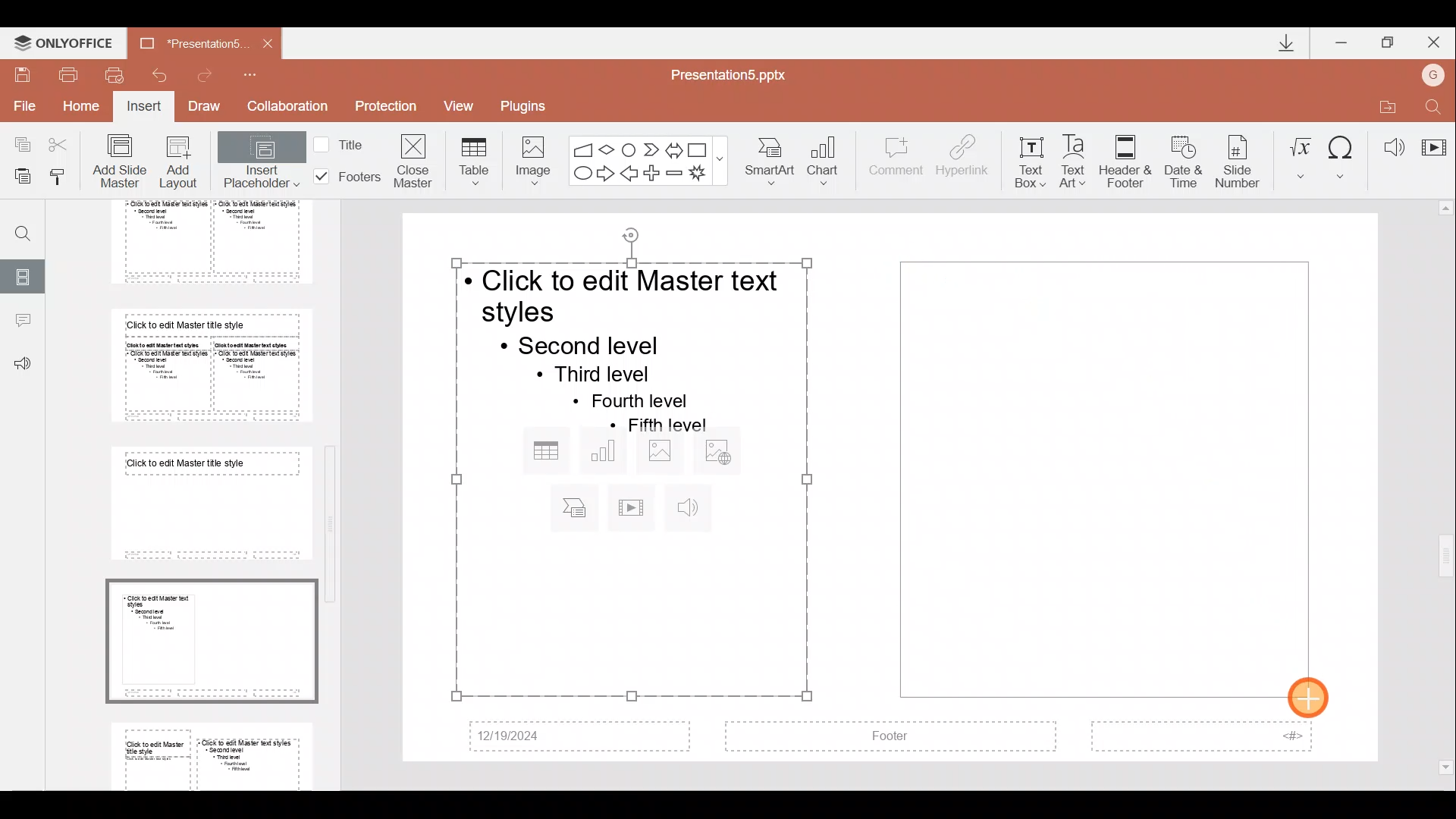 The width and height of the screenshot is (1456, 819). I want to click on Cursor on placeholder, so click(1310, 696).